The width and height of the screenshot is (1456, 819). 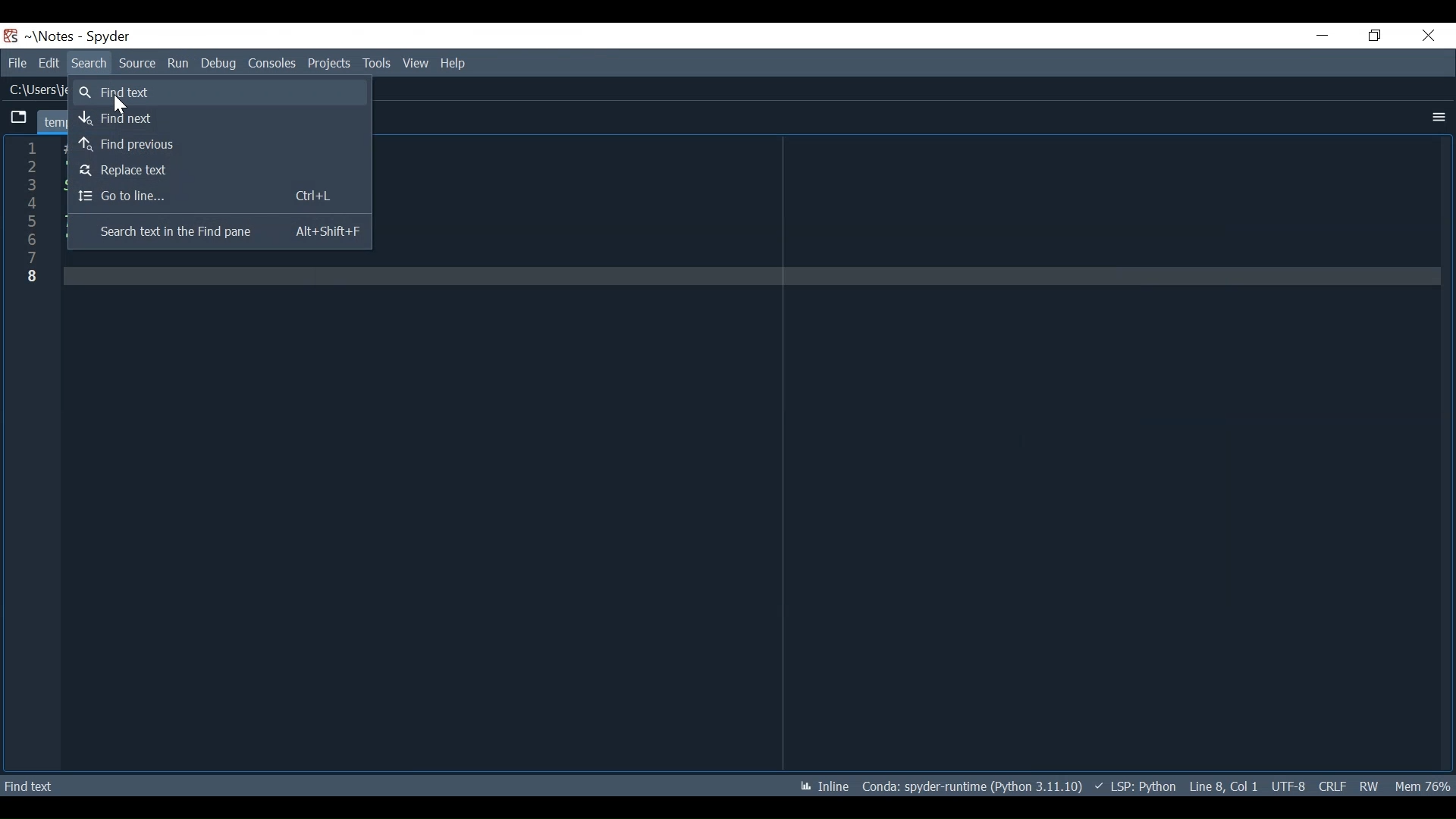 What do you see at coordinates (975, 787) in the screenshot?
I see `Conda Environment Indicator` at bounding box center [975, 787].